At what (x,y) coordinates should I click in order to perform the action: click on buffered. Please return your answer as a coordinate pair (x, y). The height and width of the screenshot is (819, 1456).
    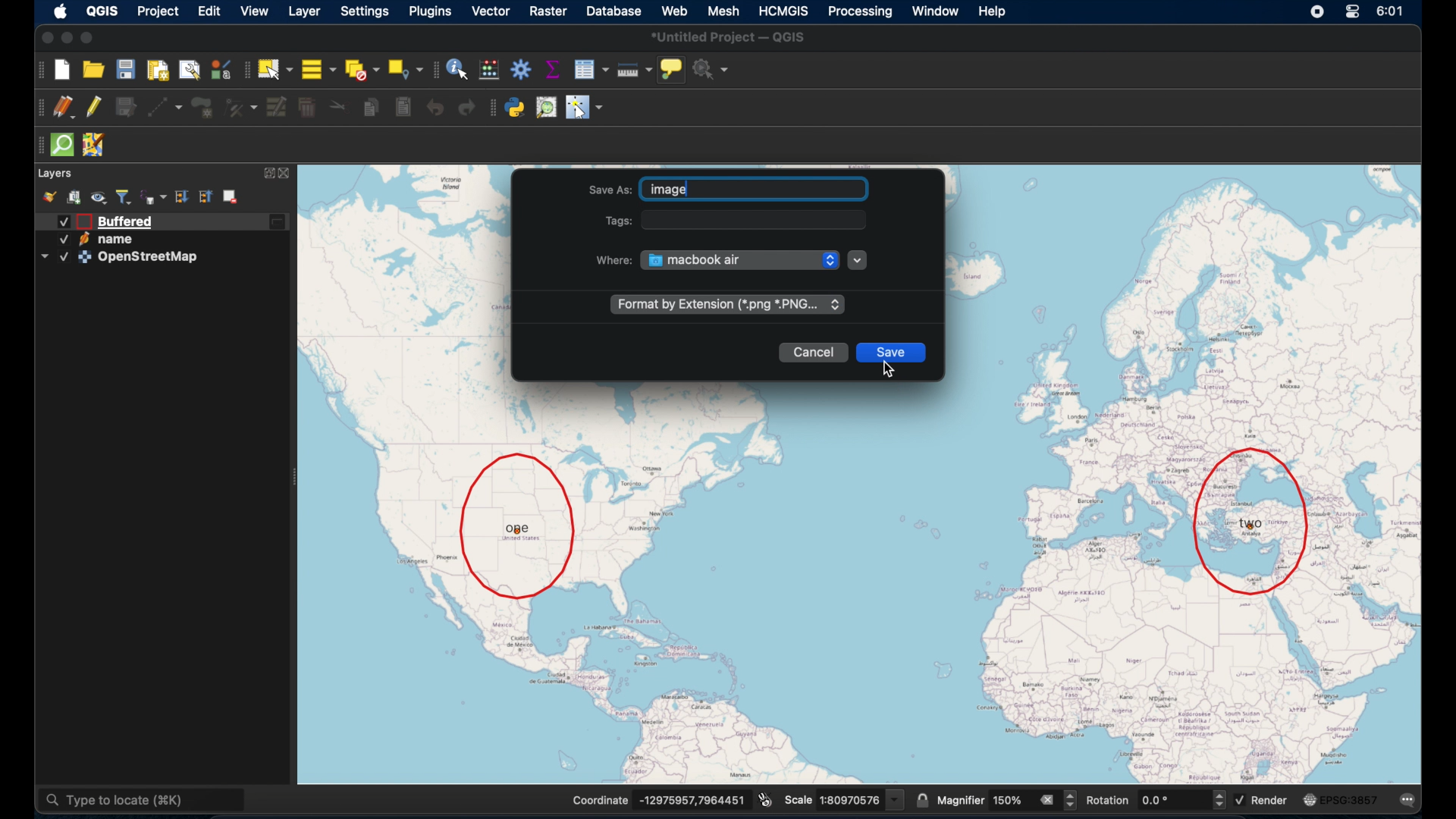
    Looking at the image, I should click on (125, 221).